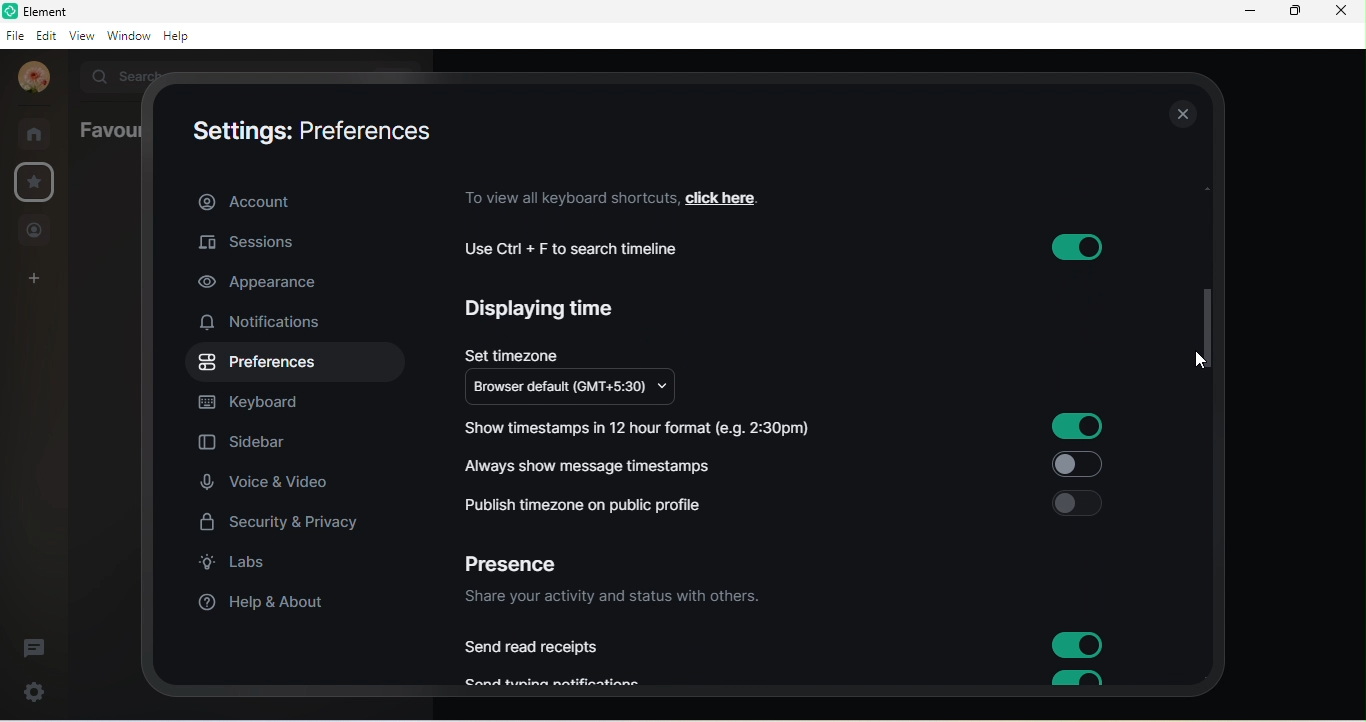 The height and width of the screenshot is (722, 1366). Describe the element at coordinates (619, 598) in the screenshot. I see `share your activity and status with others.` at that location.